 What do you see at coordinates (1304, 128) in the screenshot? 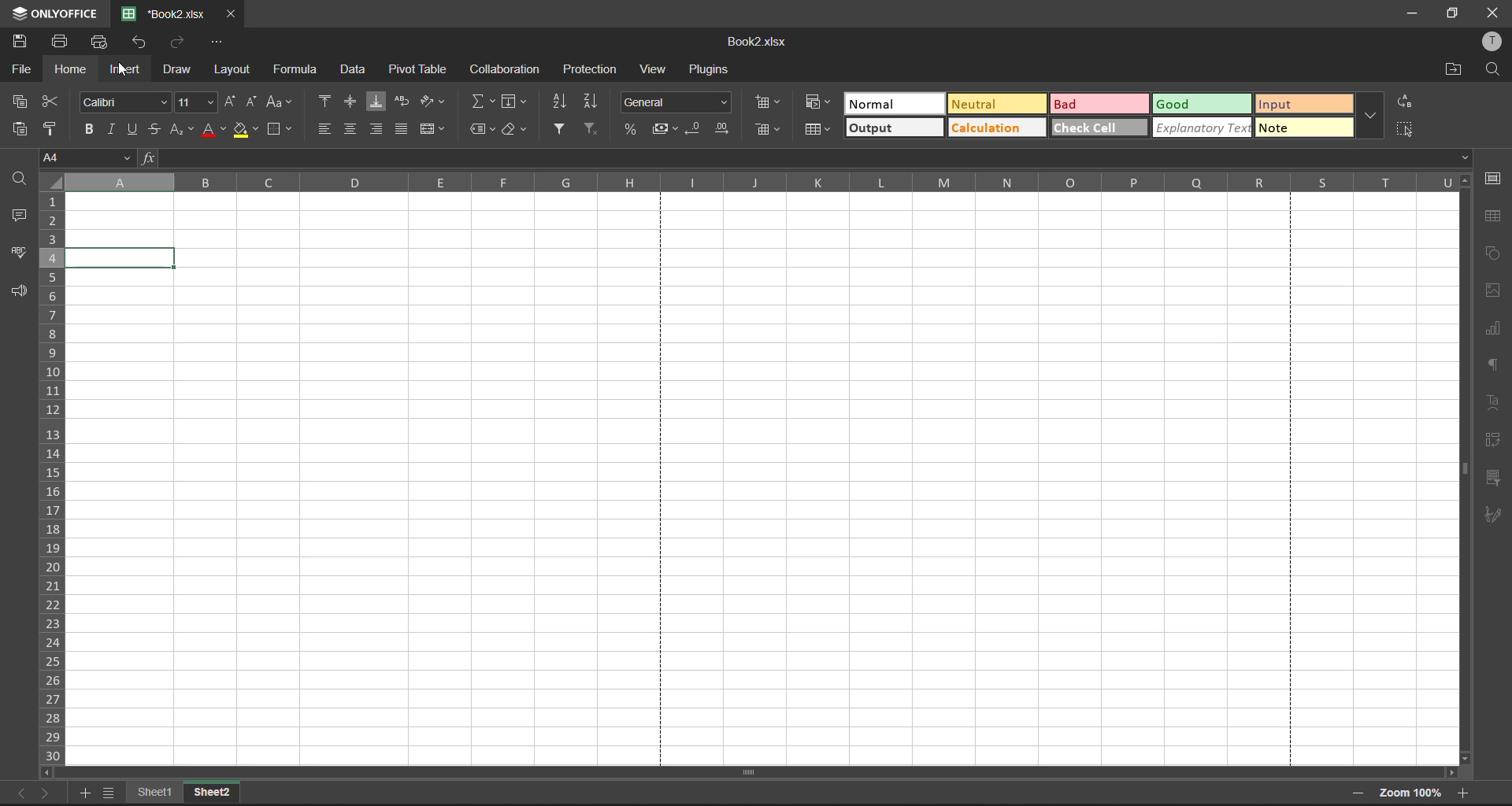
I see `note` at bounding box center [1304, 128].